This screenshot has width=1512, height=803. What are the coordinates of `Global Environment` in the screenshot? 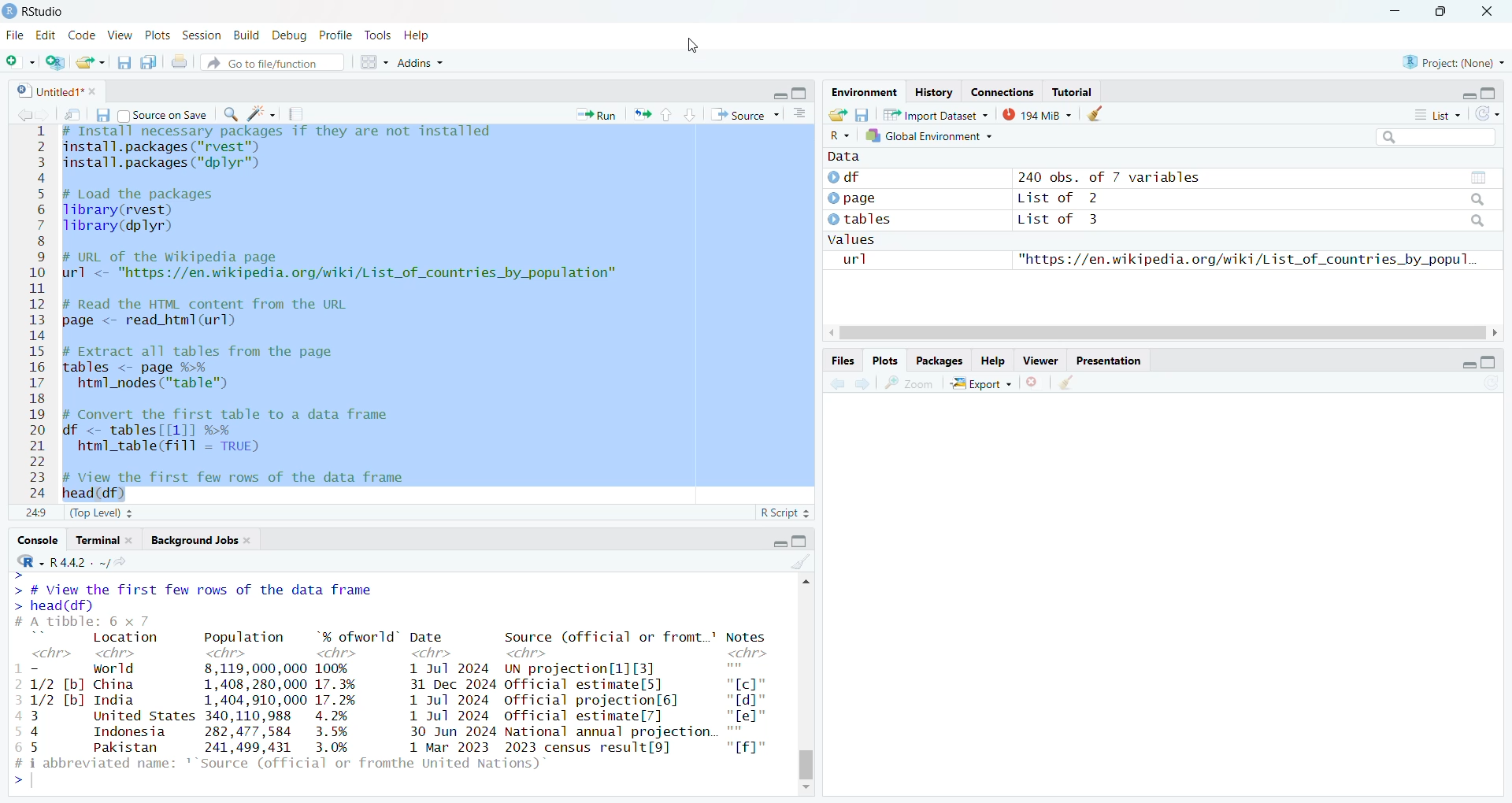 It's located at (930, 135).